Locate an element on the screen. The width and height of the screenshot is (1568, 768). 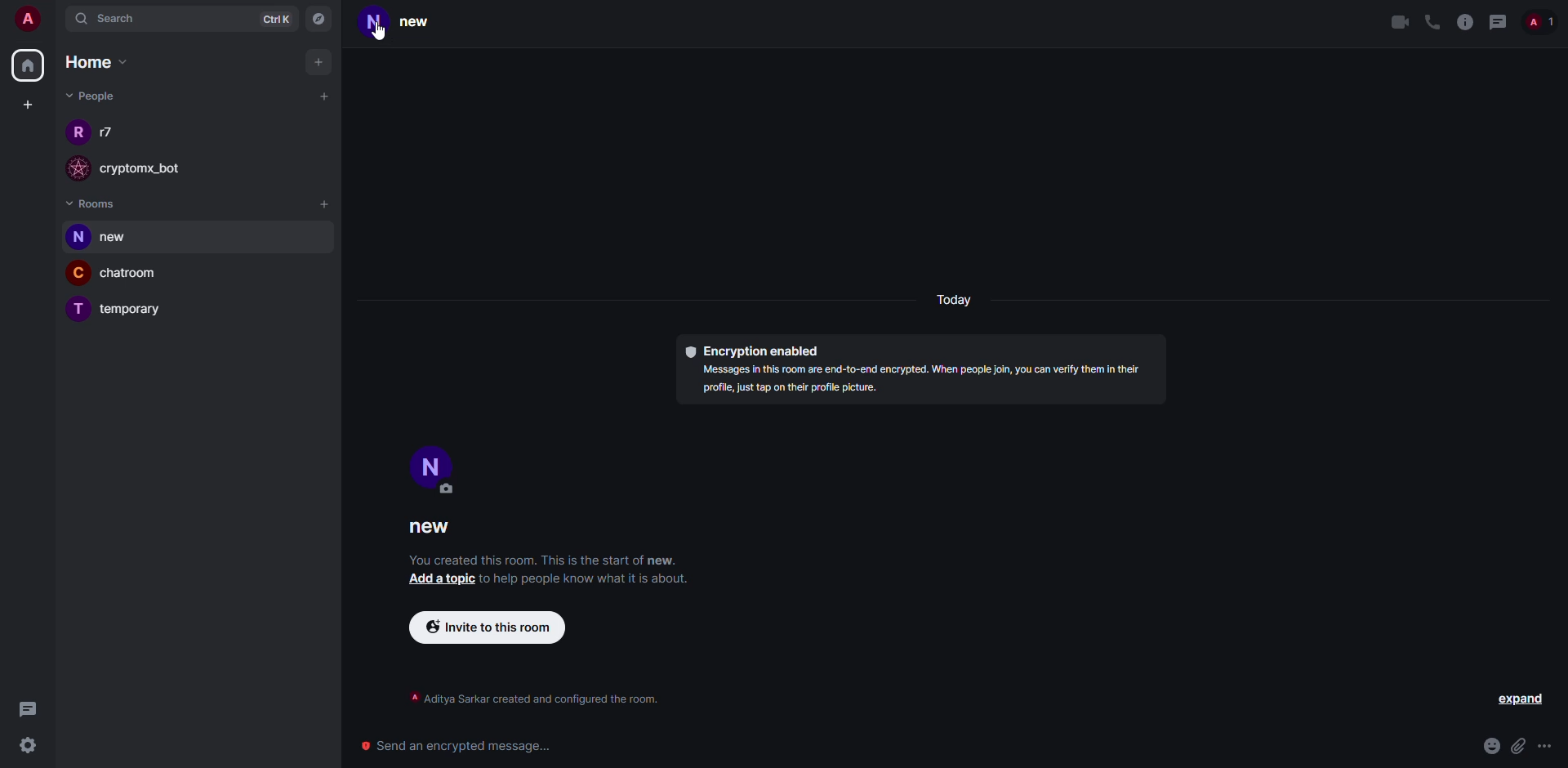
profile is located at coordinates (373, 25).